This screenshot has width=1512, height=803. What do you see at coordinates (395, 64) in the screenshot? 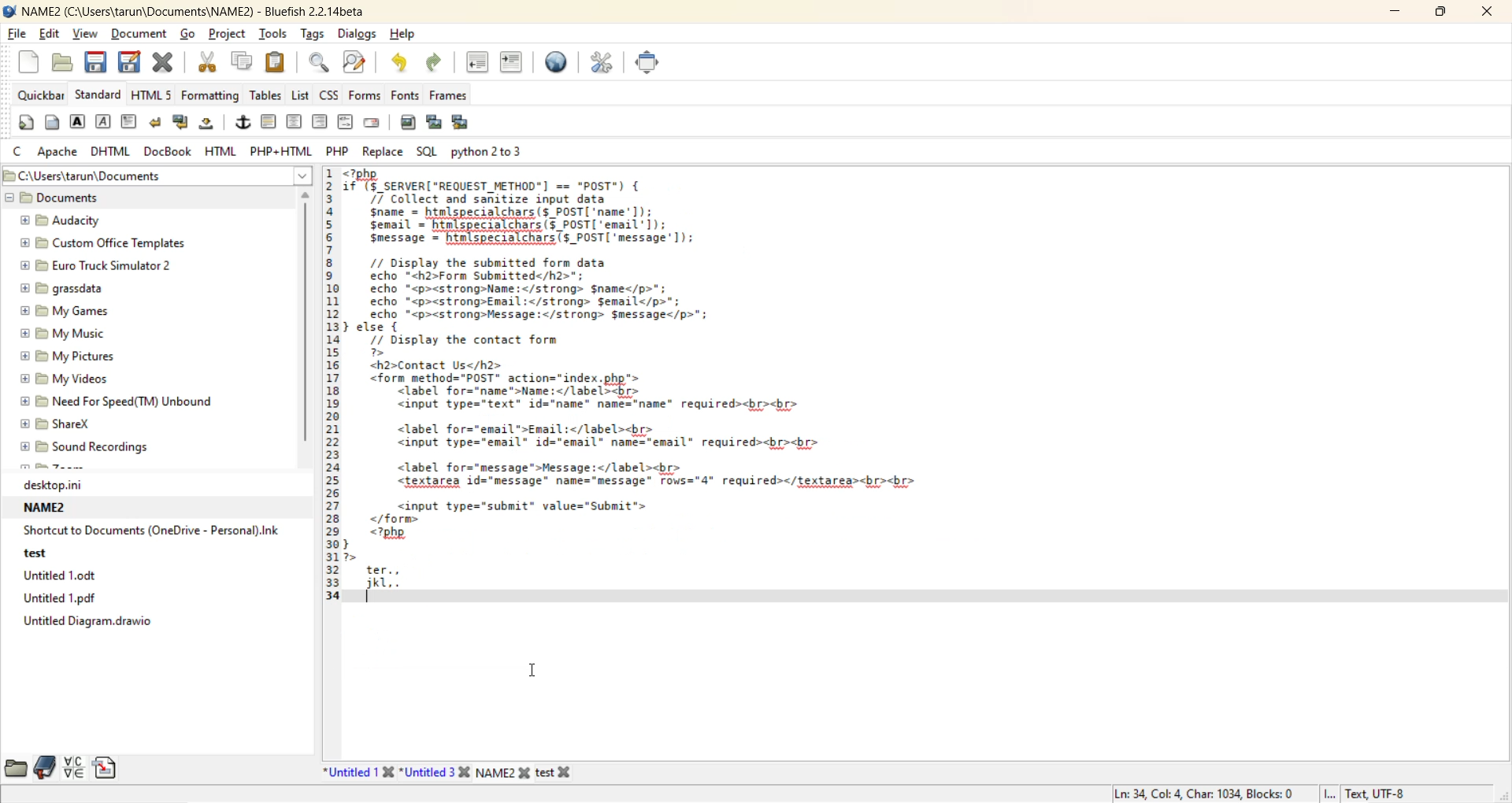
I see `undo` at bounding box center [395, 64].